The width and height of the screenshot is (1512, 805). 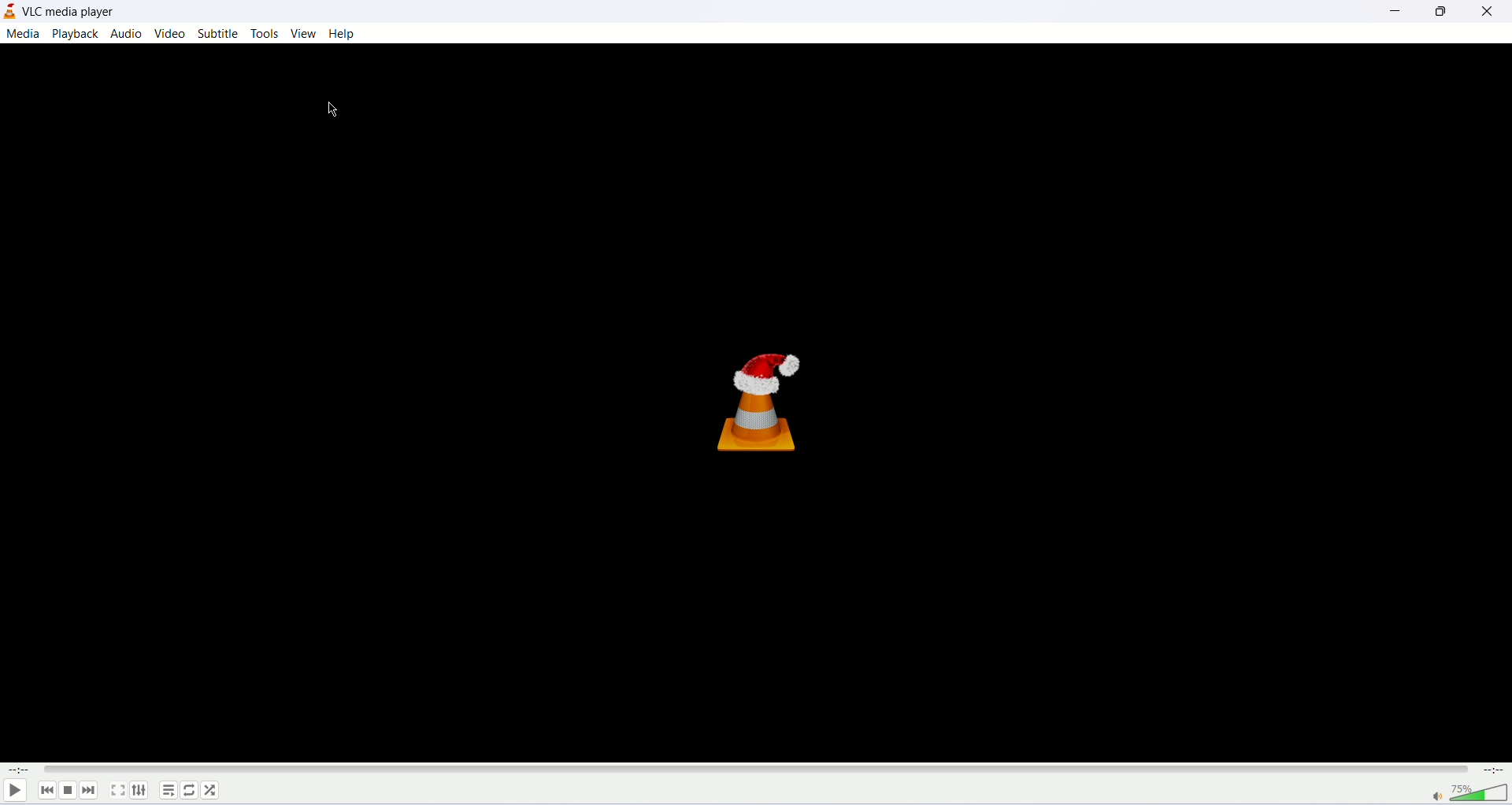 I want to click on vlc logo, so click(x=768, y=400).